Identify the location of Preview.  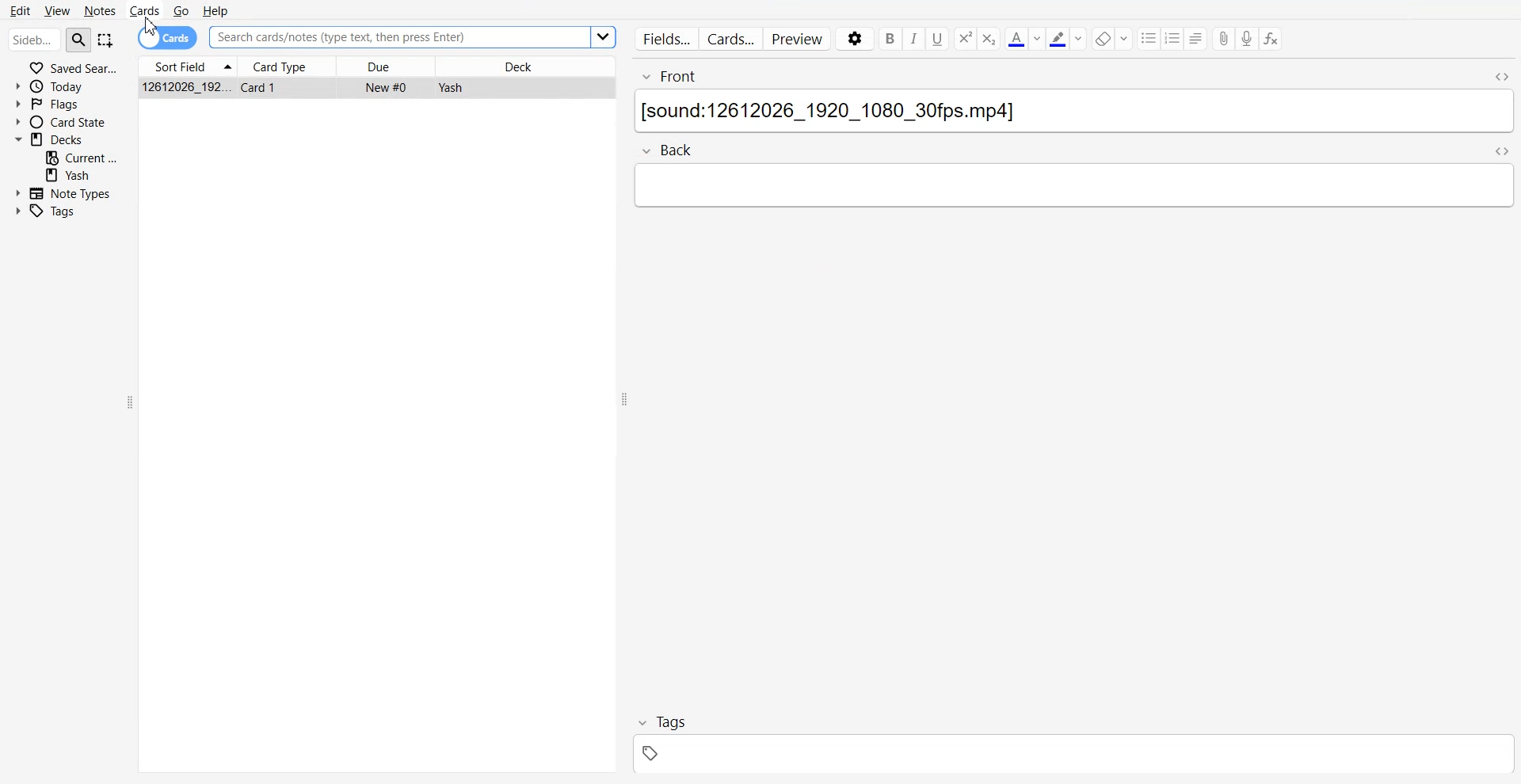
(799, 40).